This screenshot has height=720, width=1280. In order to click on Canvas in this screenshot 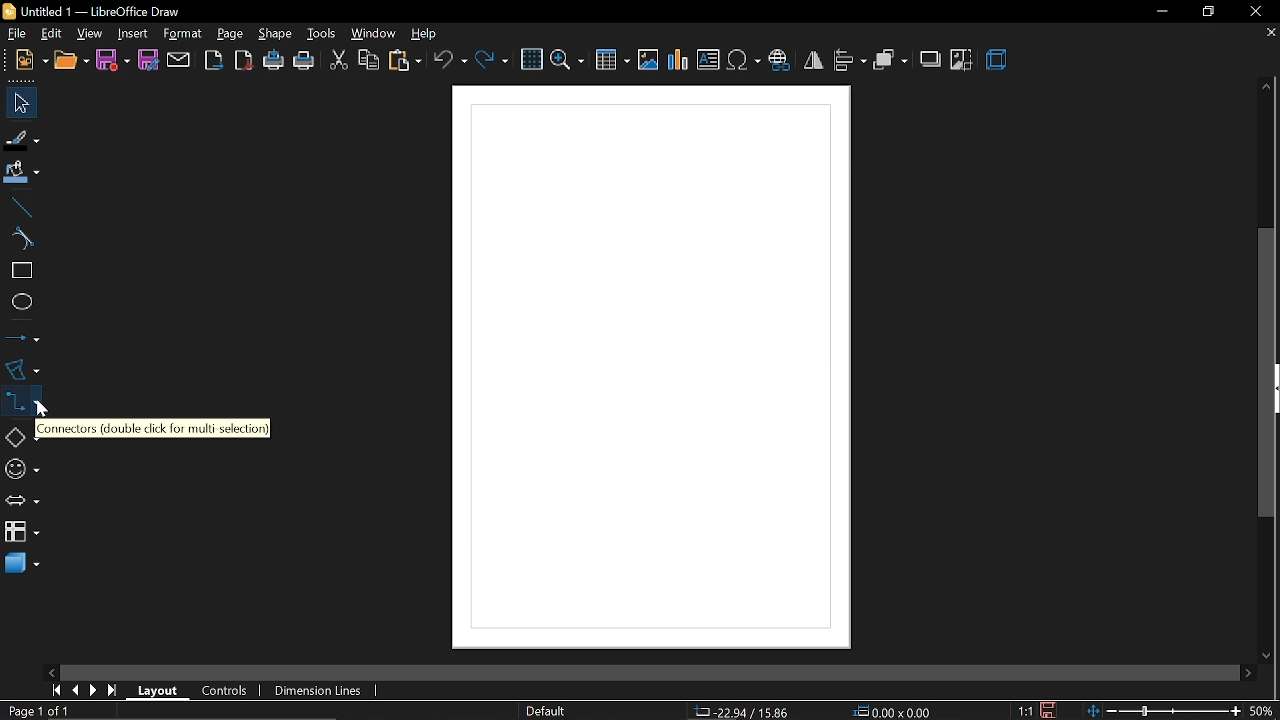, I will do `click(654, 368)`.